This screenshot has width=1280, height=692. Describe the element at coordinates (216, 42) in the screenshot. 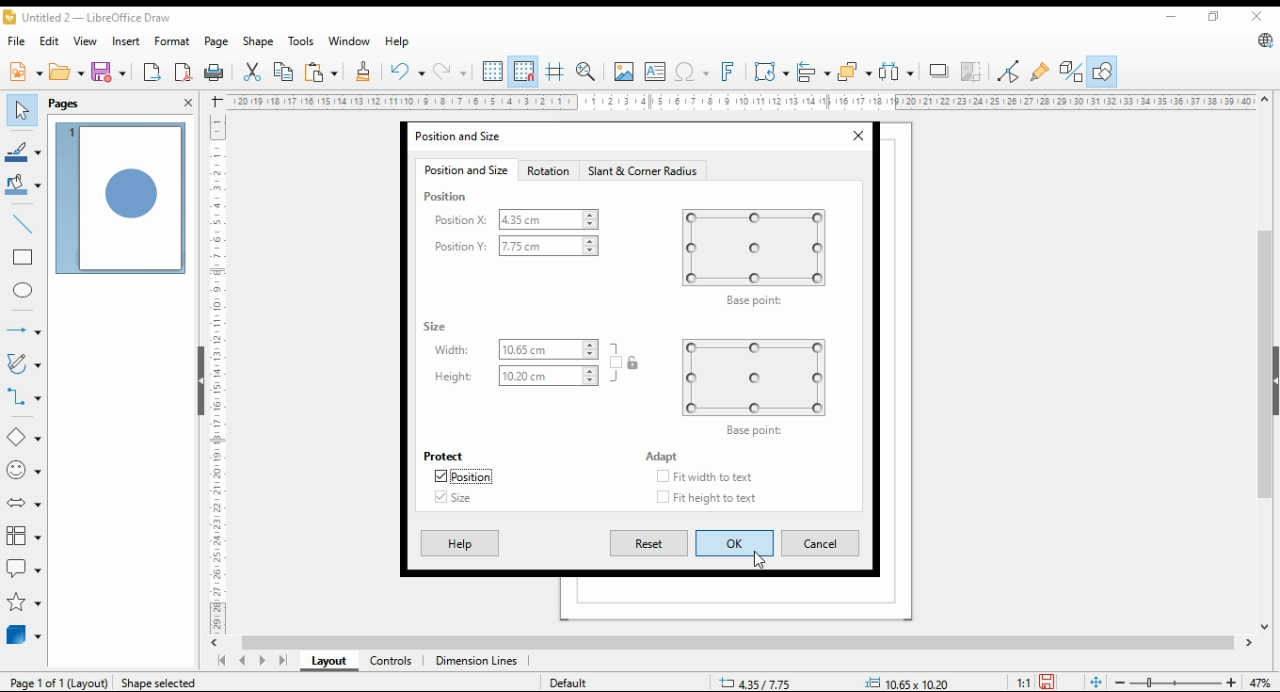

I see `page` at that location.